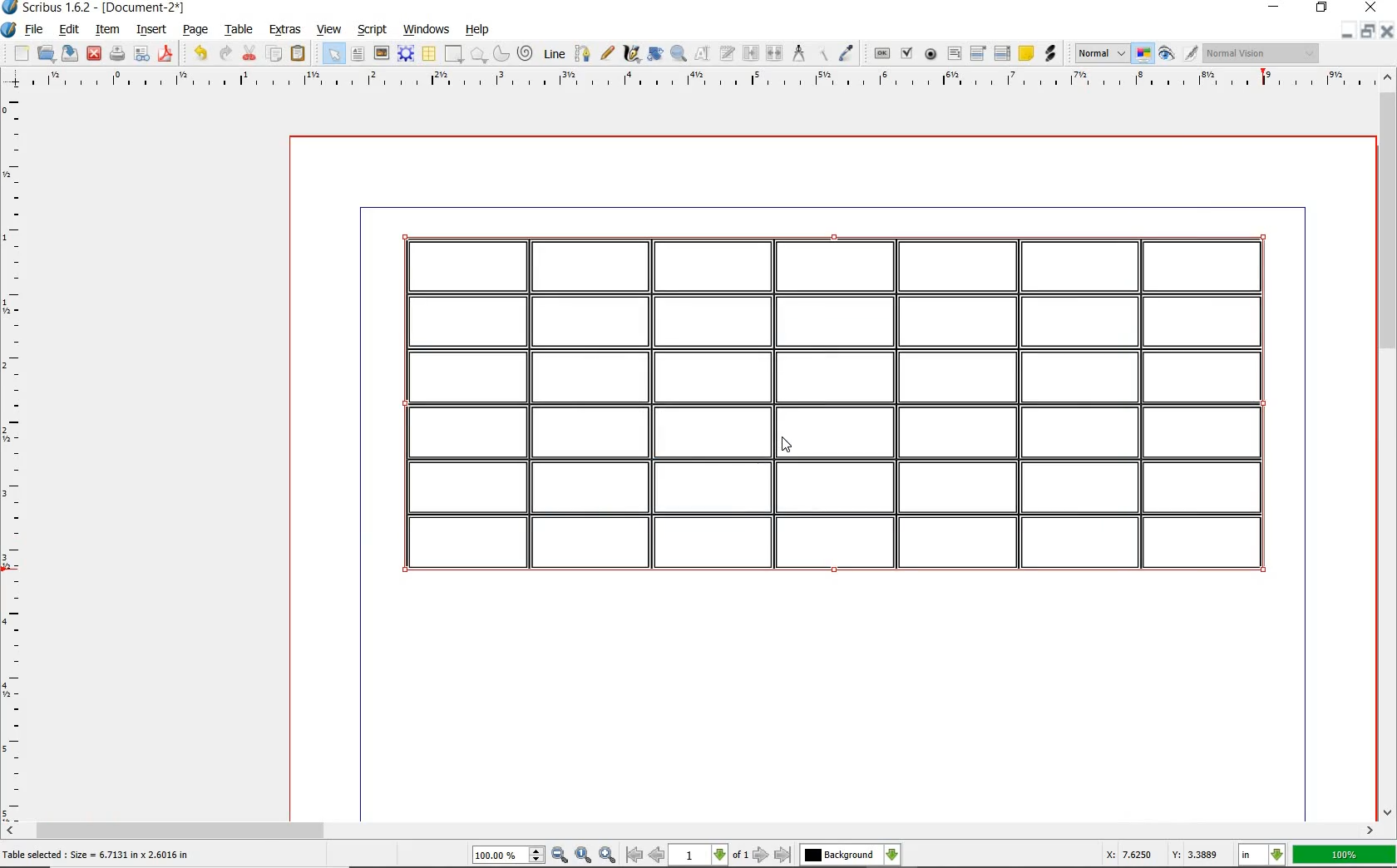 The image size is (1397, 868). What do you see at coordinates (1347, 31) in the screenshot?
I see `minimize` at bounding box center [1347, 31].